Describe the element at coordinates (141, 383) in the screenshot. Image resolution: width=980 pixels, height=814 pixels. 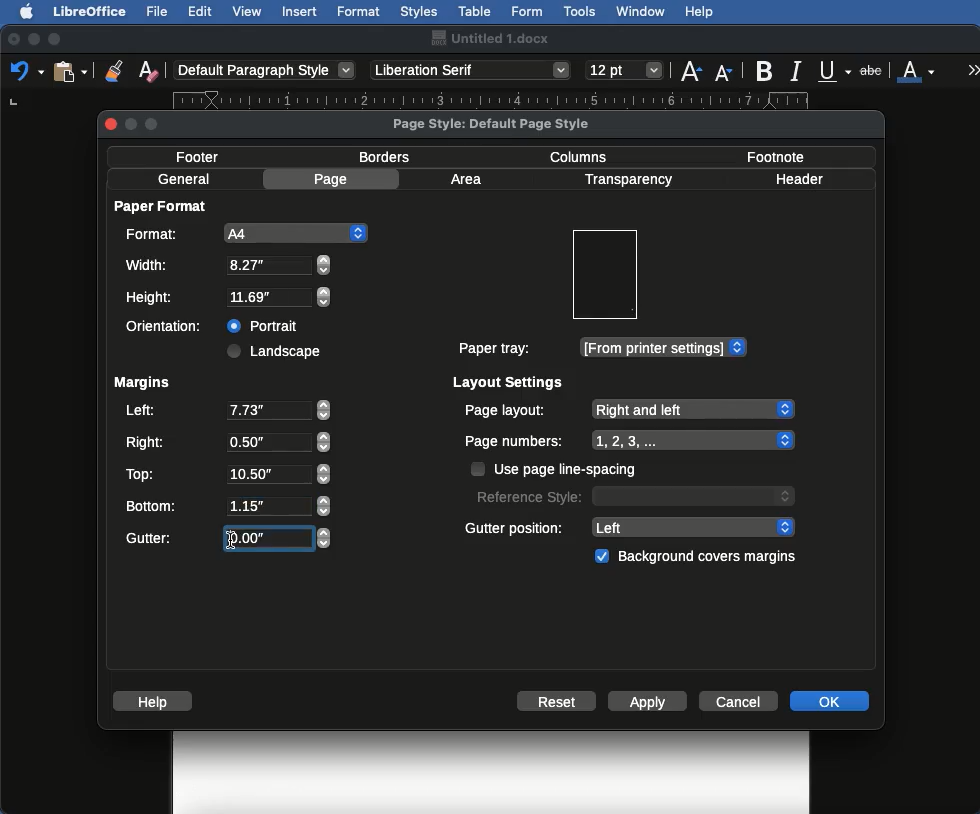
I see `Margins` at that location.